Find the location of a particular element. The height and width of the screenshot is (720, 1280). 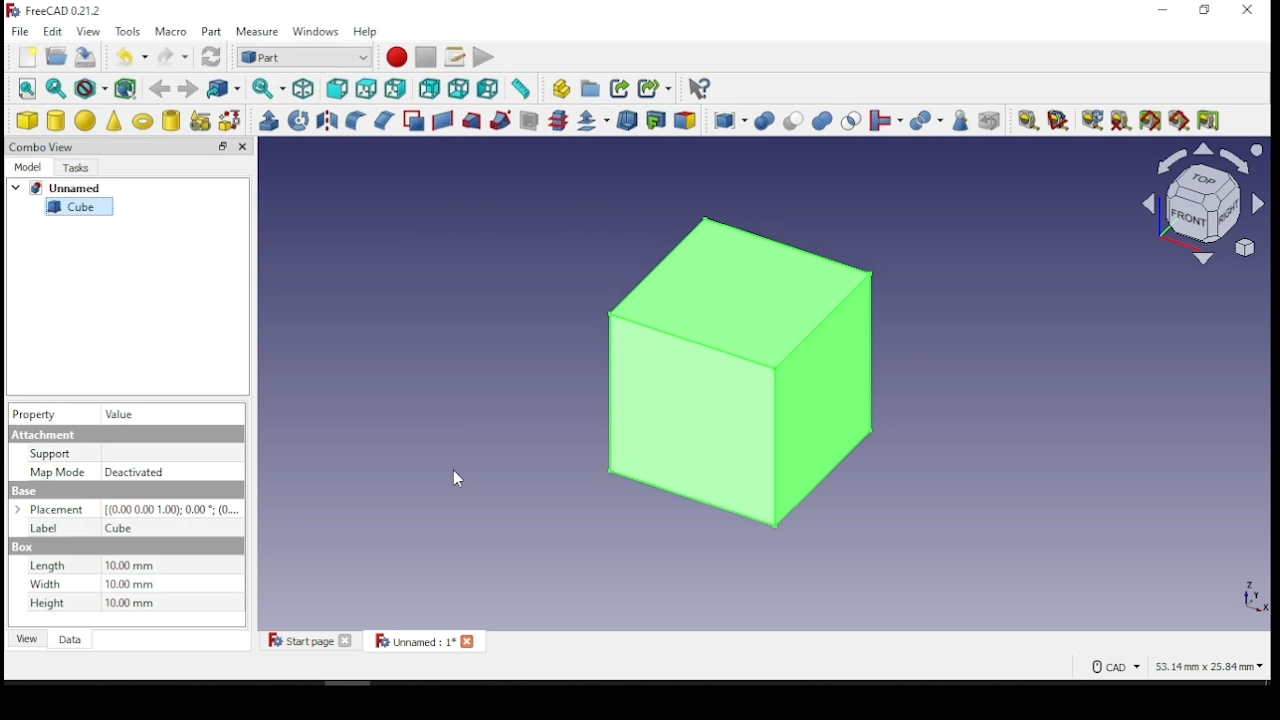

Length is located at coordinates (47, 565).